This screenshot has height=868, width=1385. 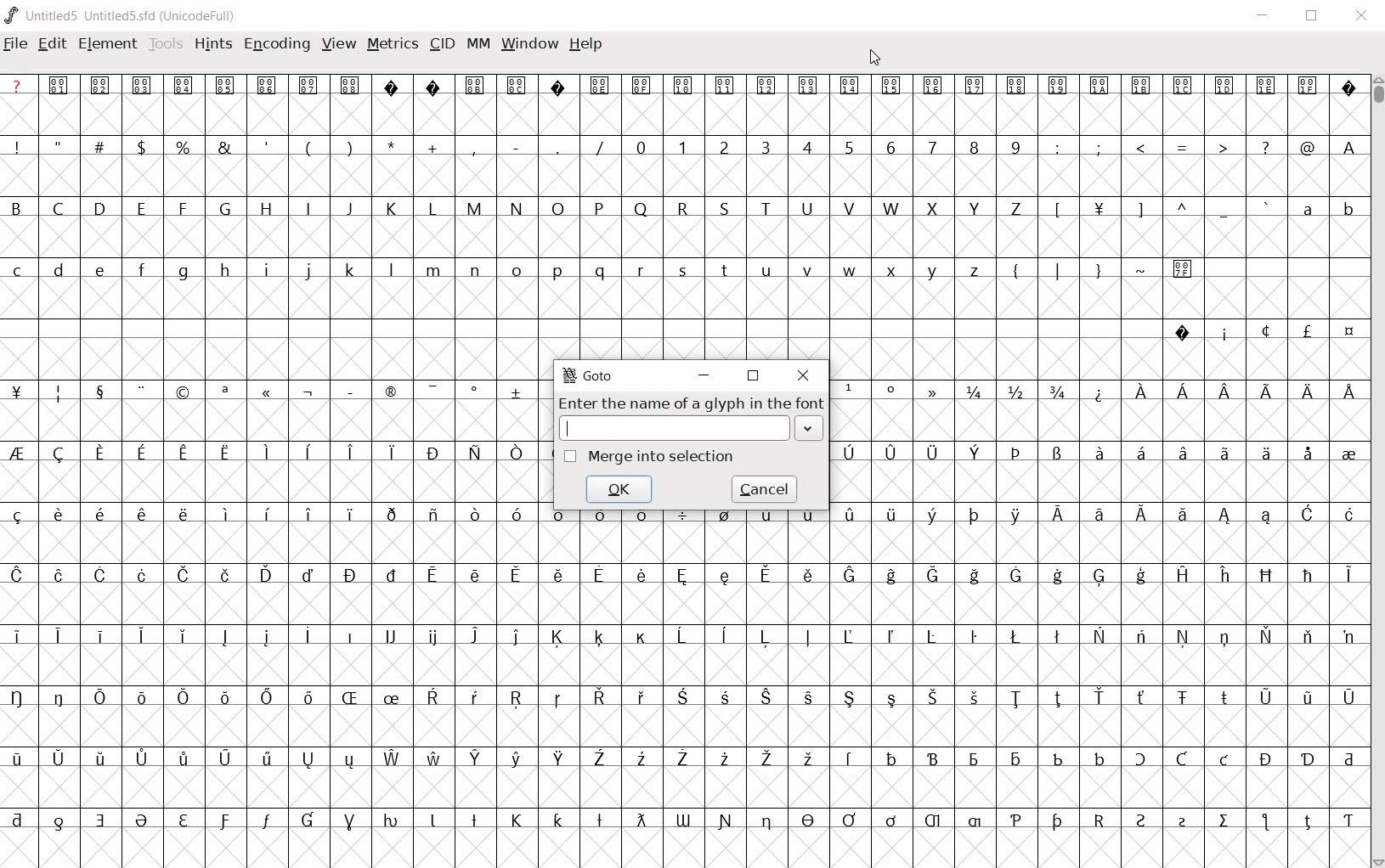 What do you see at coordinates (184, 637) in the screenshot?
I see `Symbol` at bounding box center [184, 637].